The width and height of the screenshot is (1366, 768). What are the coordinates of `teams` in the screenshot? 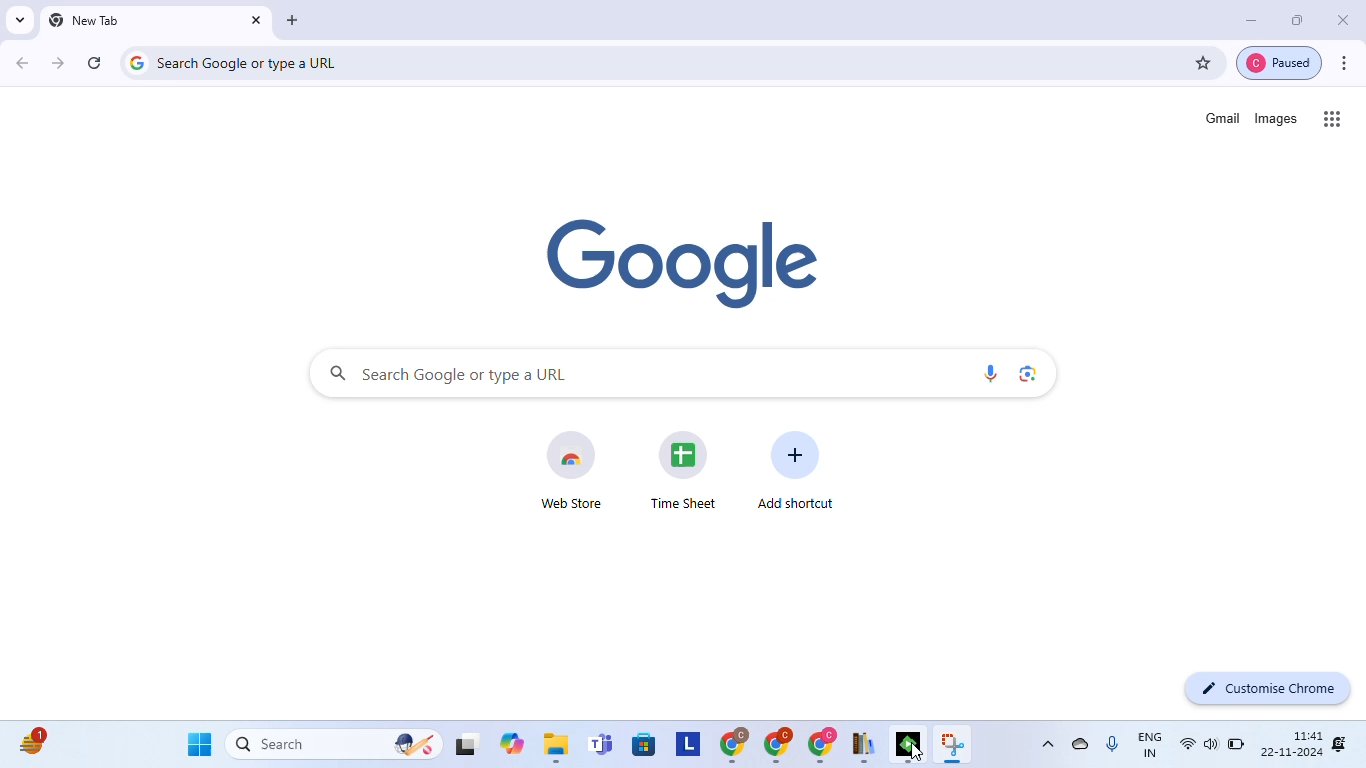 It's located at (602, 745).